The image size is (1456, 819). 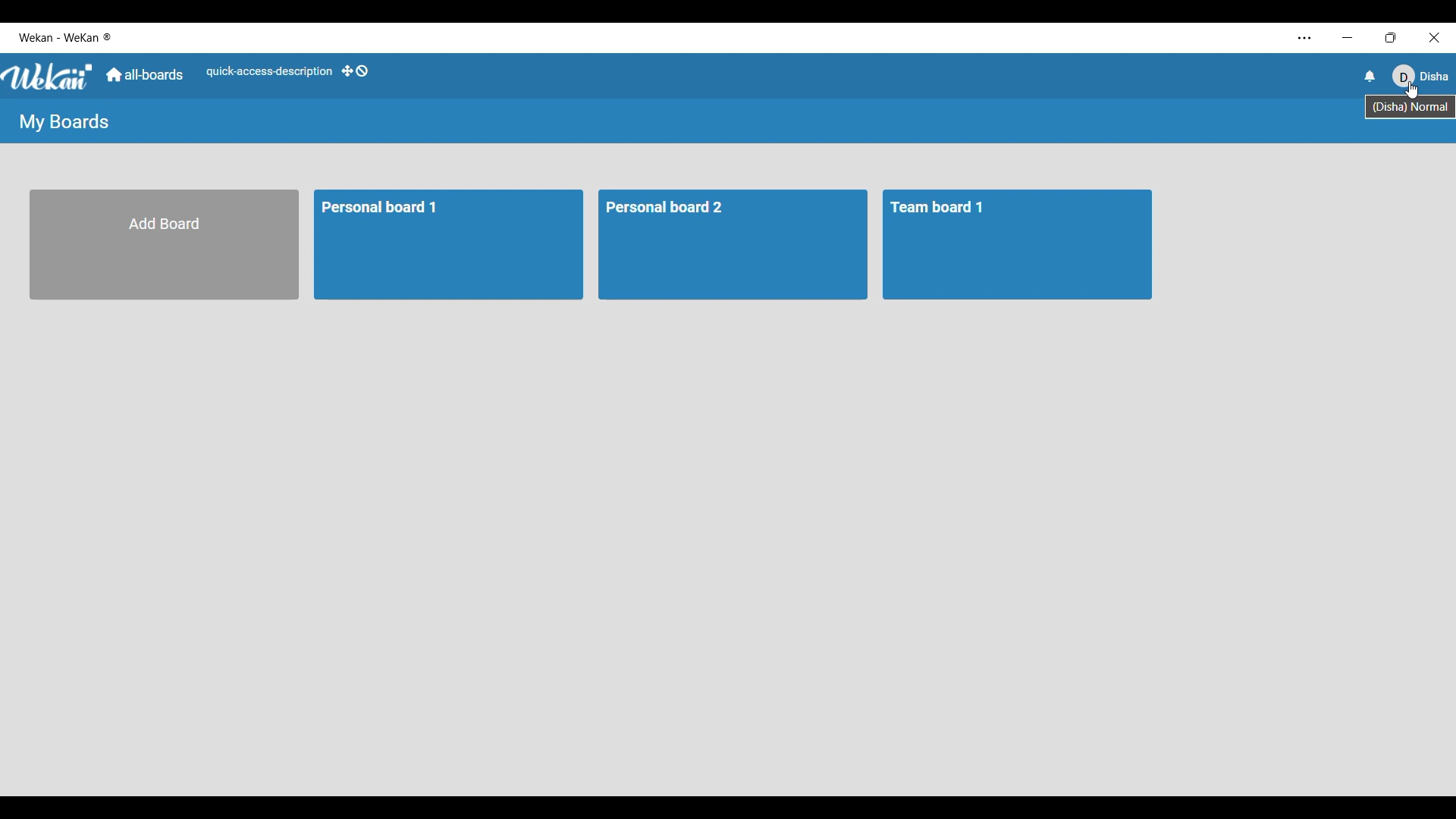 What do you see at coordinates (1433, 36) in the screenshot?
I see `Close` at bounding box center [1433, 36].